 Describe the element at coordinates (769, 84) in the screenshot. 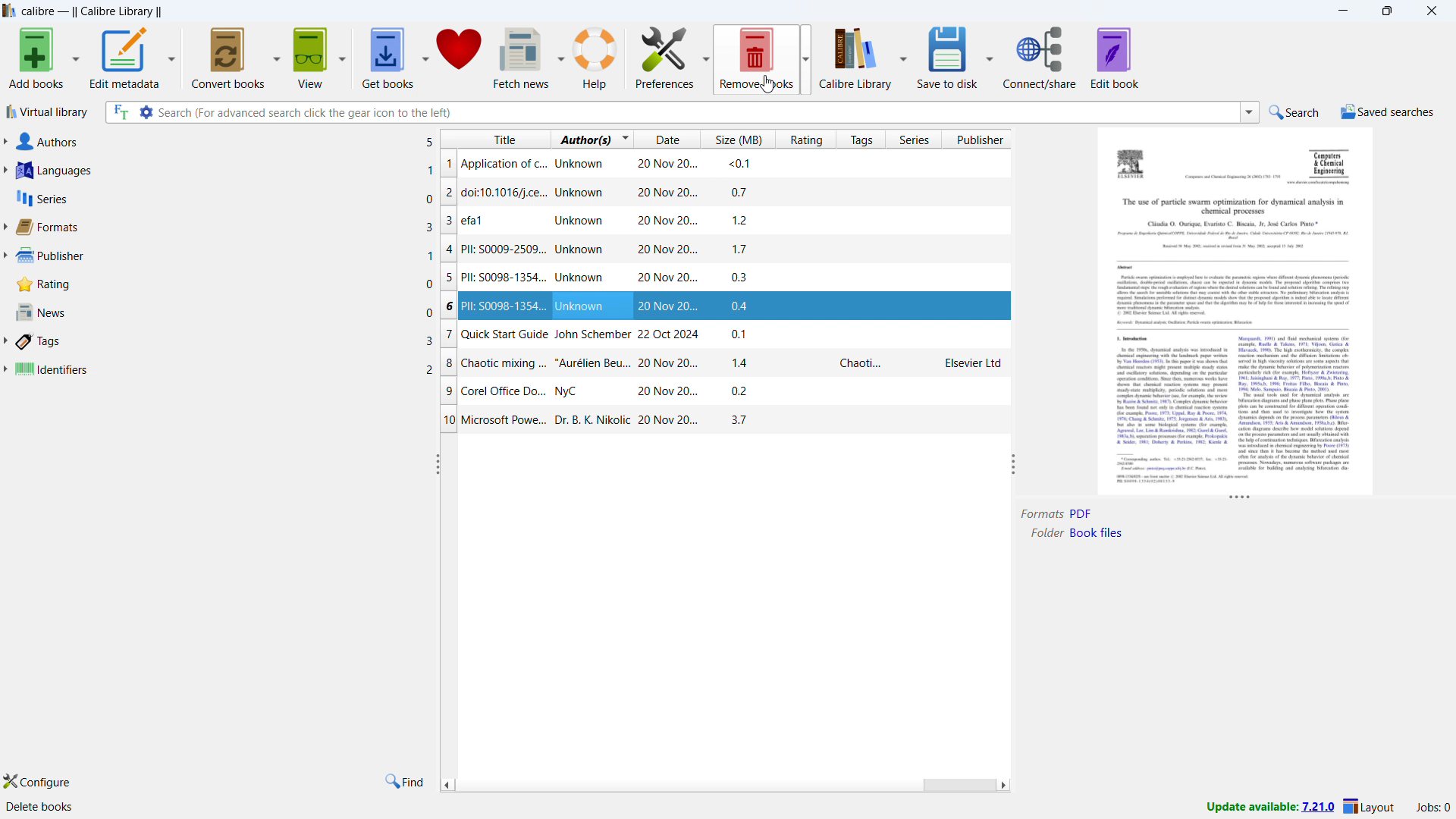

I see `cursor` at that location.